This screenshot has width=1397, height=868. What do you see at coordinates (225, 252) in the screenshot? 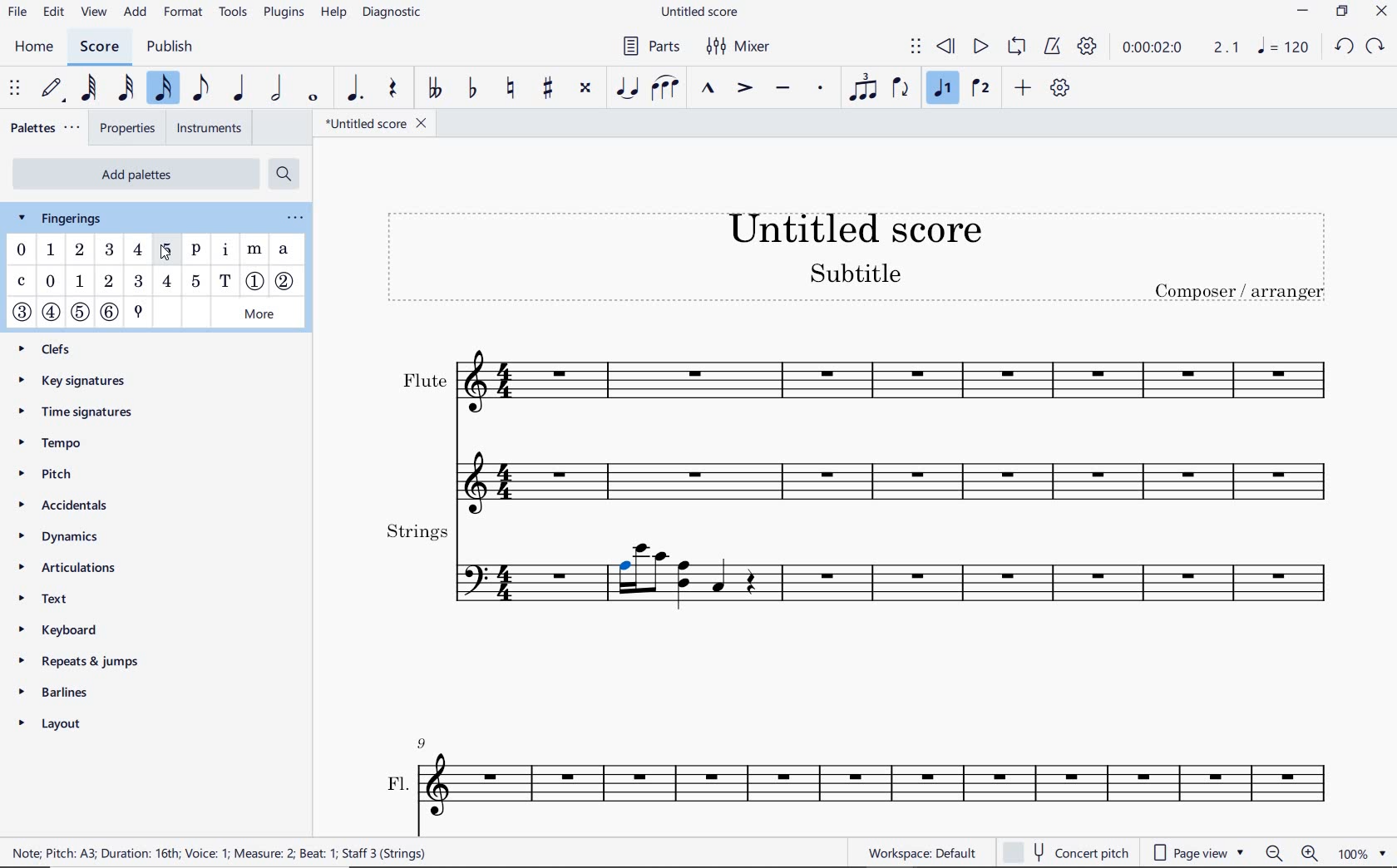
I see `RH GUITAR FINGERING I` at bounding box center [225, 252].